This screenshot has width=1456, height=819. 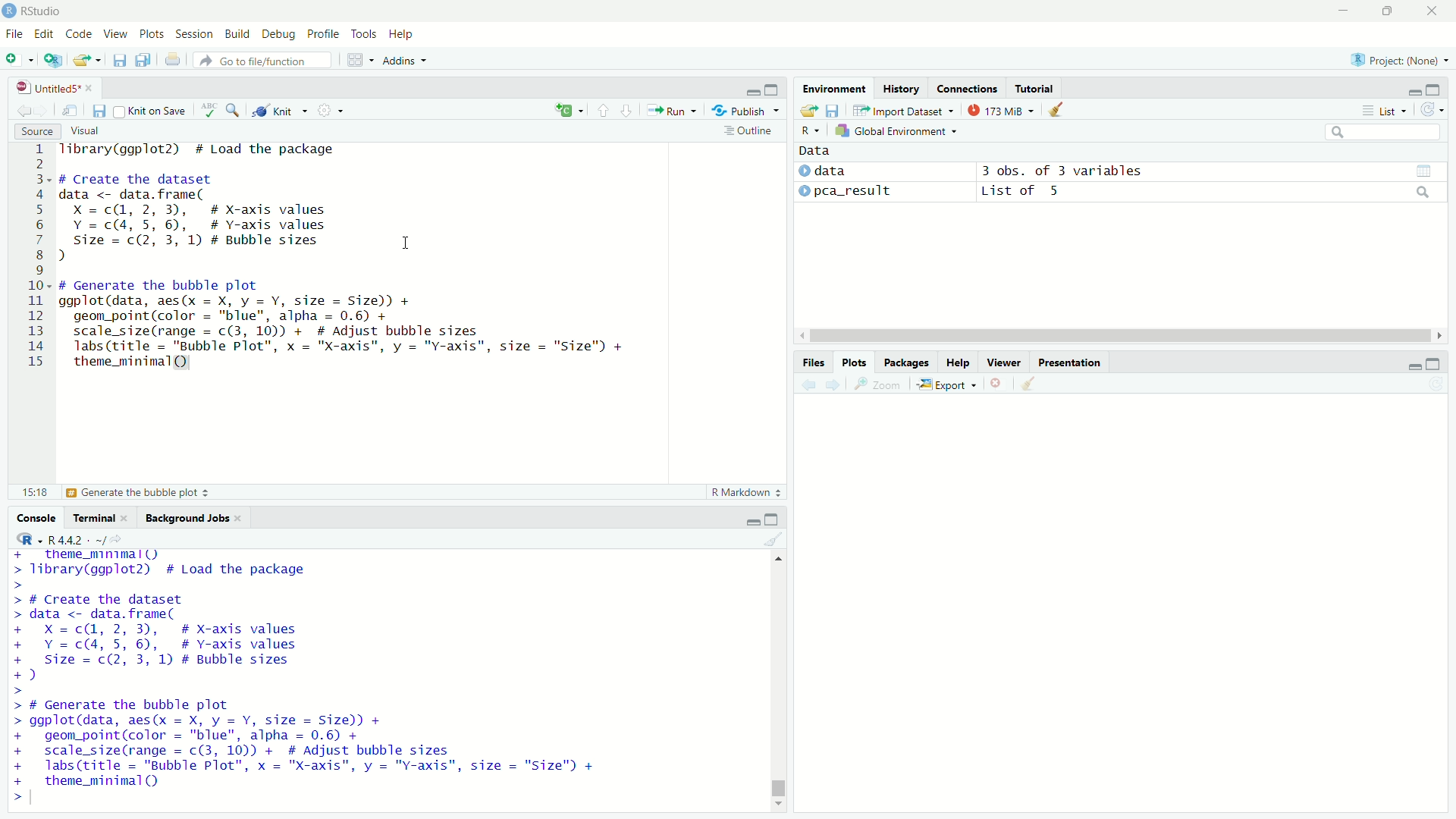 What do you see at coordinates (1385, 110) in the screenshot?
I see `list view` at bounding box center [1385, 110].